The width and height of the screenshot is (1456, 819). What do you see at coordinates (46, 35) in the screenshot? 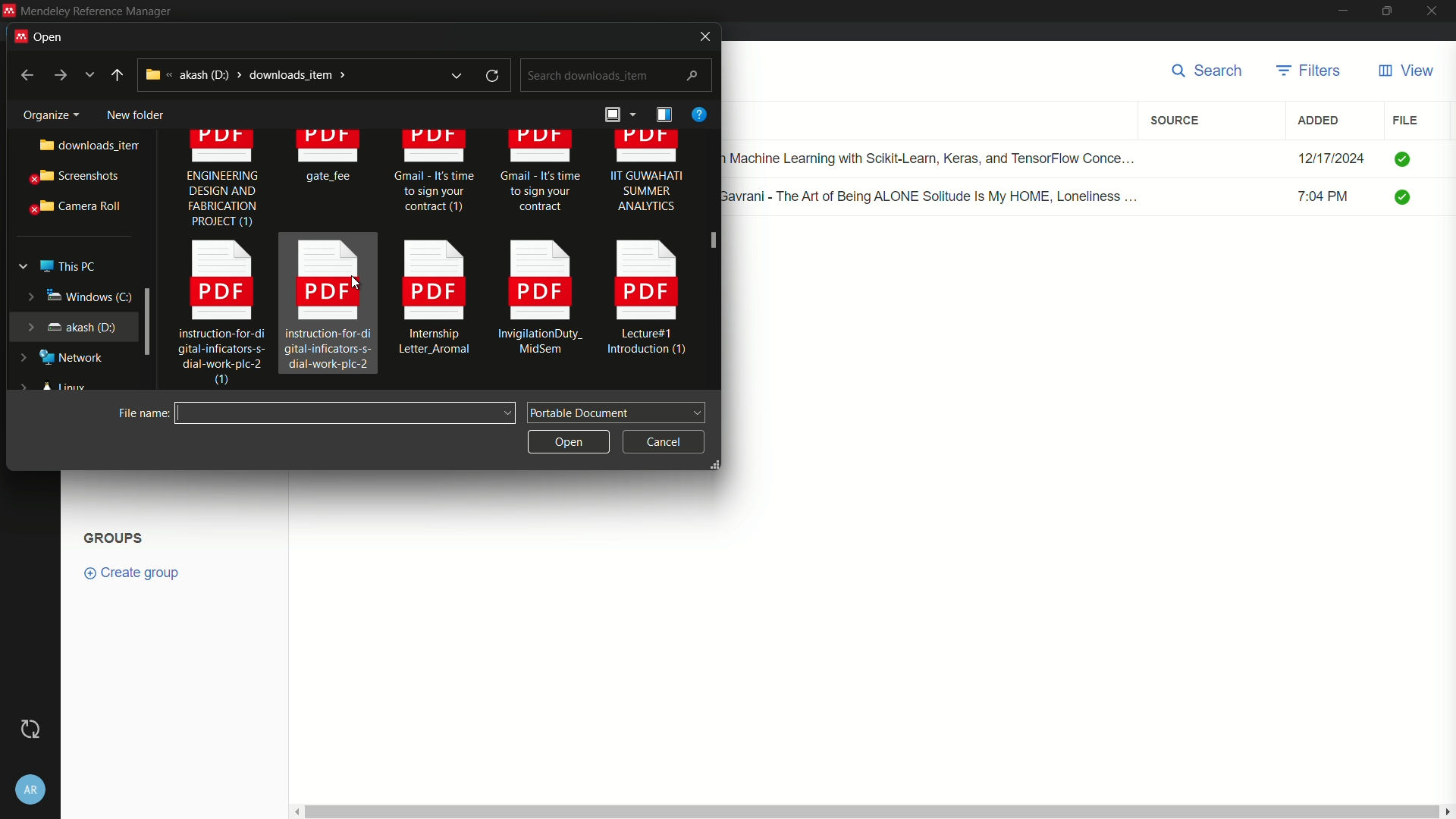
I see `open` at bounding box center [46, 35].